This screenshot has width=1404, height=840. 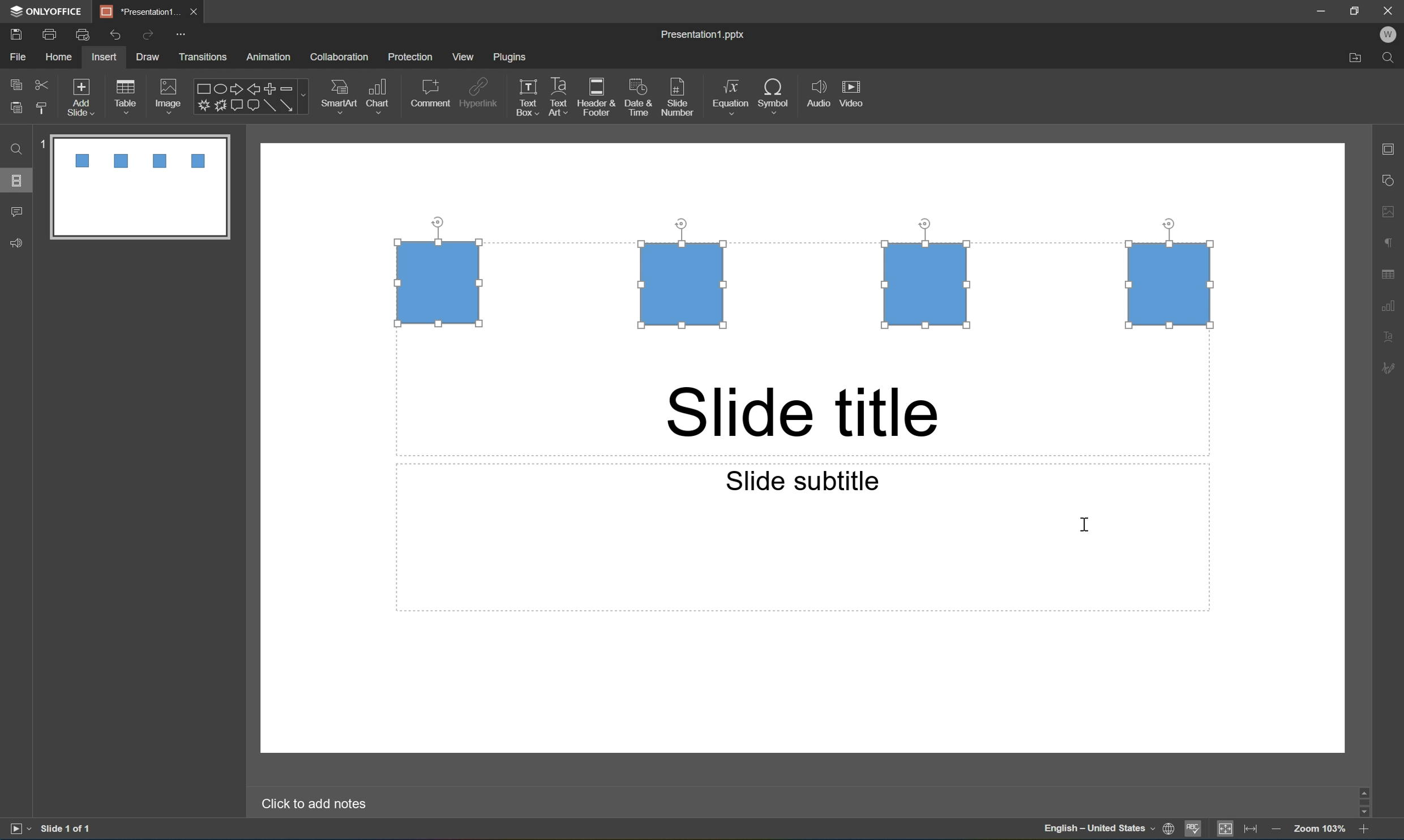 I want to click on zoom in, so click(x=1363, y=832).